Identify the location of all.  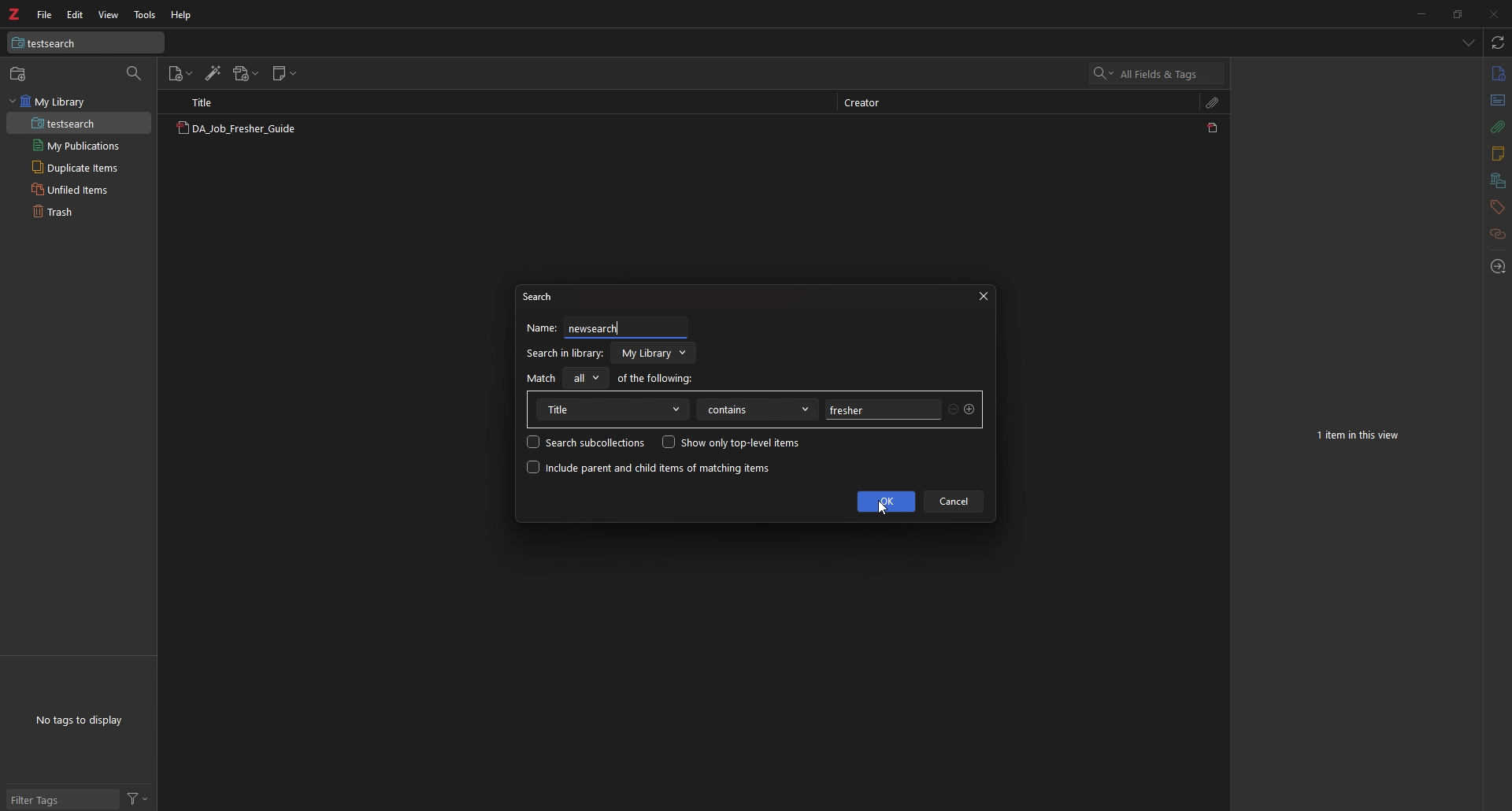
(584, 378).